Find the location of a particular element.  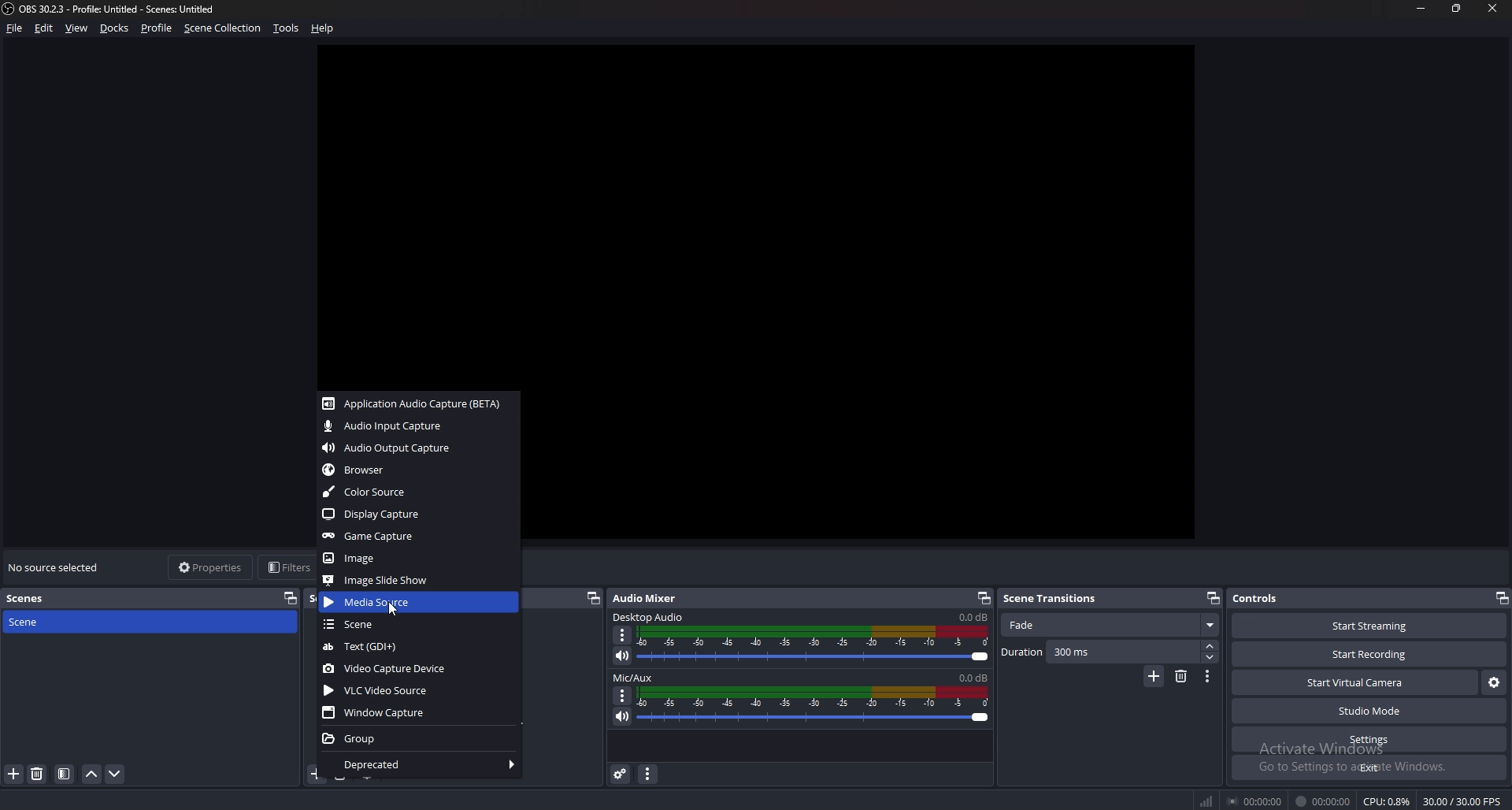

Audio soundbar is located at coordinates (813, 645).